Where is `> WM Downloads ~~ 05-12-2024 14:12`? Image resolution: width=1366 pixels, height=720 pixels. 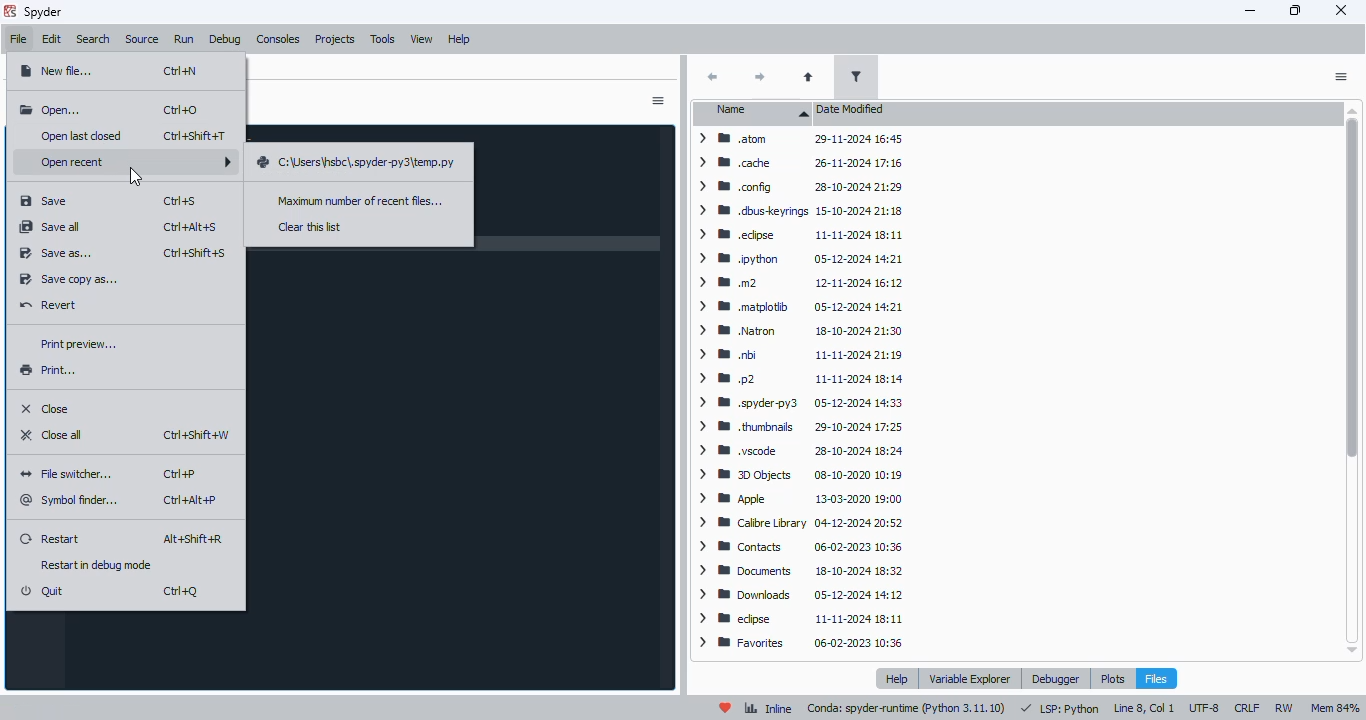 > WM Downloads ~~ 05-12-2024 14:12 is located at coordinates (799, 595).